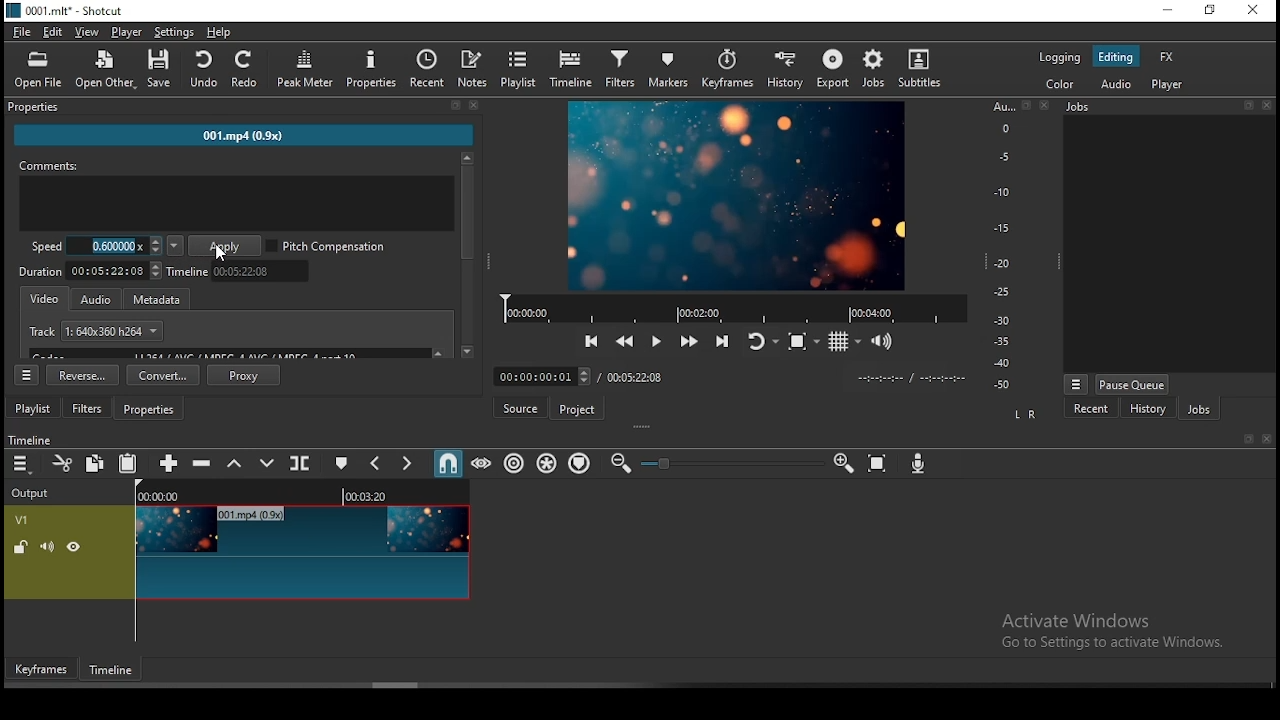 The height and width of the screenshot is (720, 1280). I want to click on icon and file name, so click(65, 11).